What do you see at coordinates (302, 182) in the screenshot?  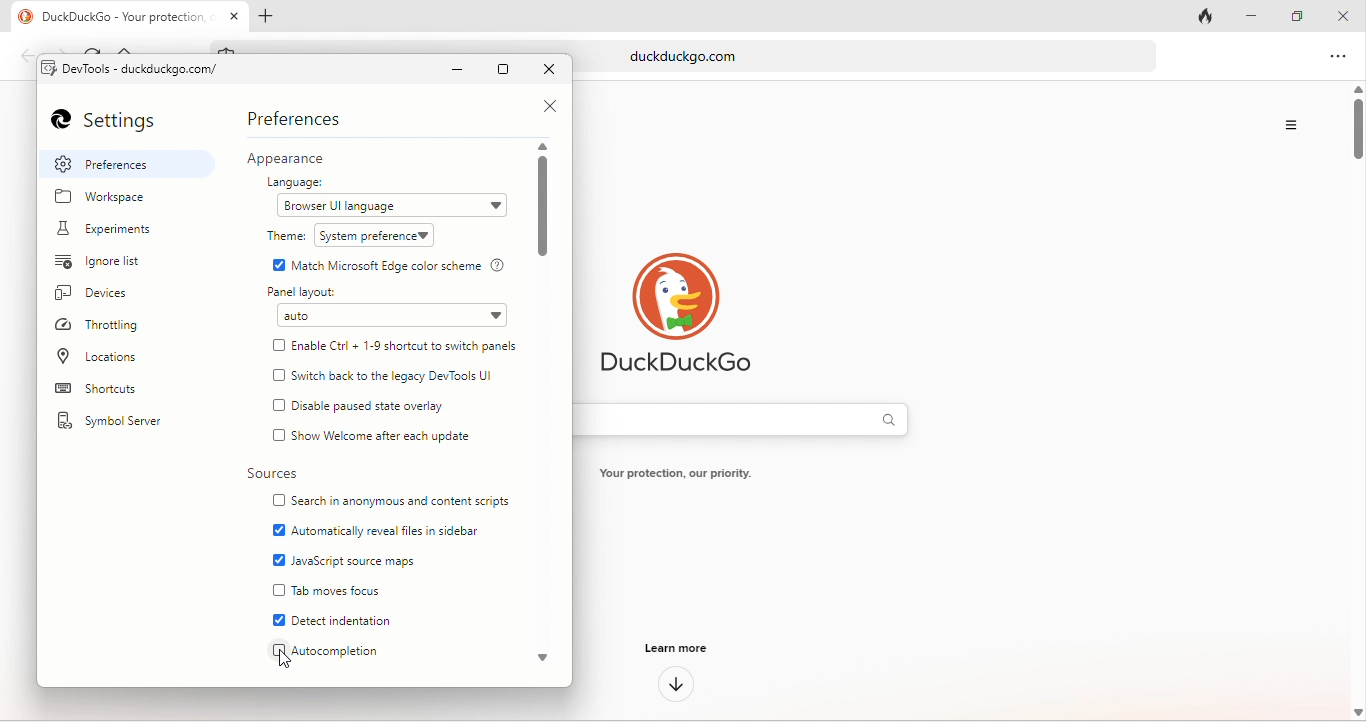 I see `language` at bounding box center [302, 182].